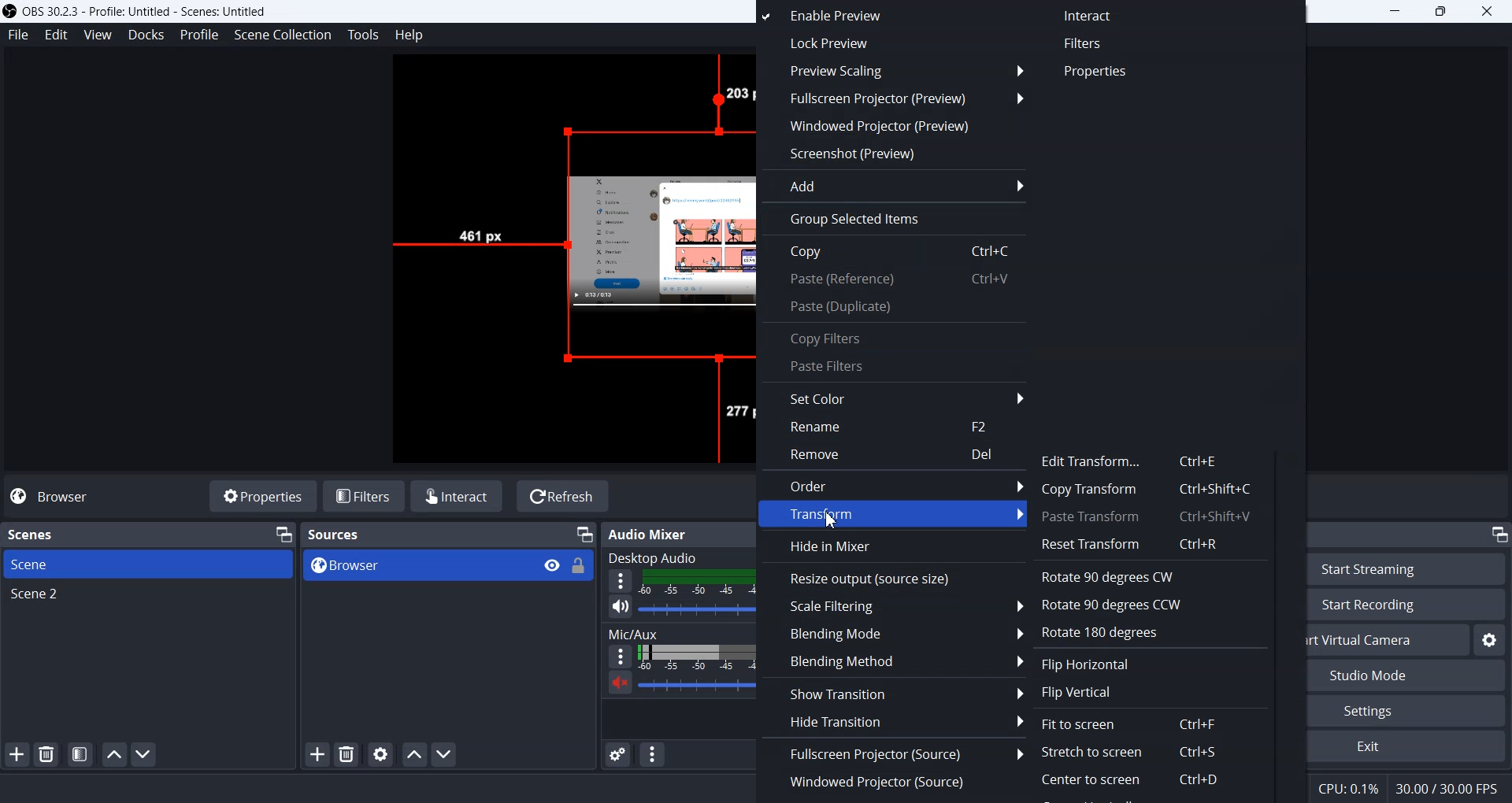  Describe the element at coordinates (97, 35) in the screenshot. I see `View` at that location.